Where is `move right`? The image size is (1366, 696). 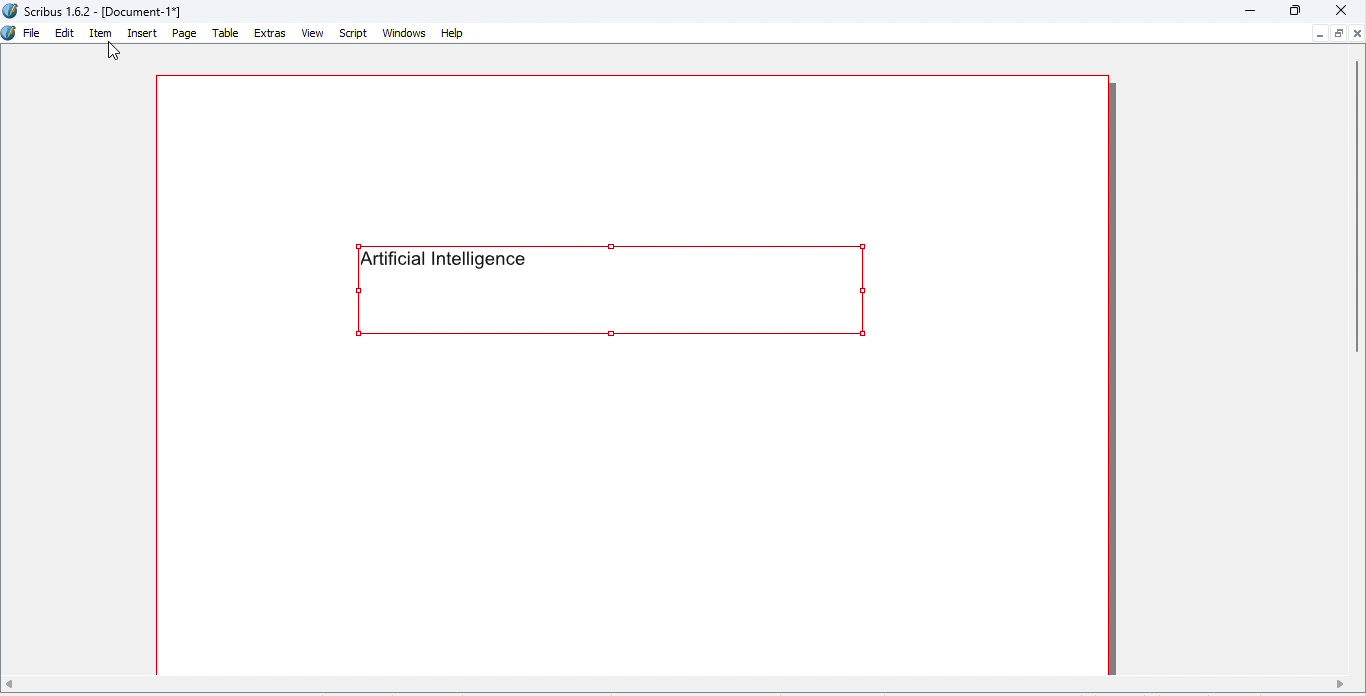
move right is located at coordinates (1347, 685).